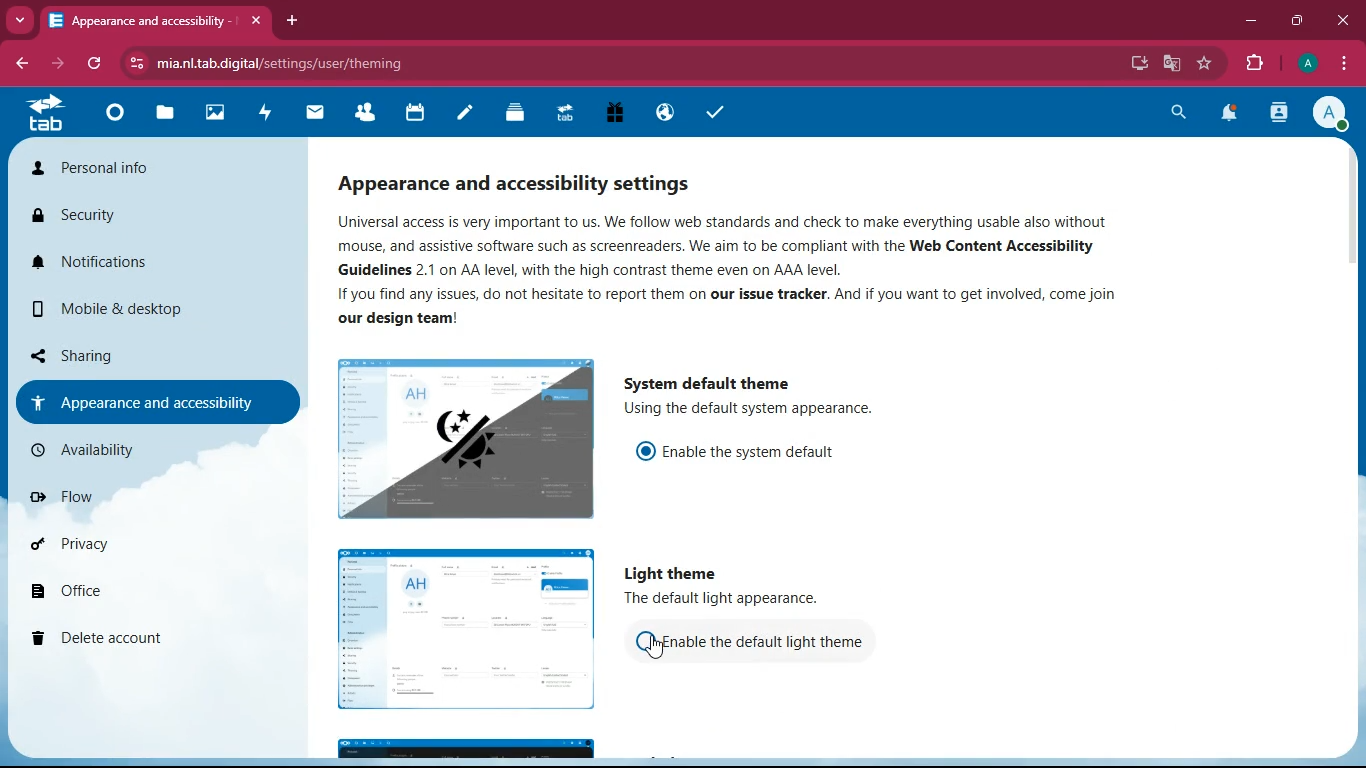 Image resolution: width=1366 pixels, height=768 pixels. What do you see at coordinates (469, 441) in the screenshot?
I see `image` at bounding box center [469, 441].